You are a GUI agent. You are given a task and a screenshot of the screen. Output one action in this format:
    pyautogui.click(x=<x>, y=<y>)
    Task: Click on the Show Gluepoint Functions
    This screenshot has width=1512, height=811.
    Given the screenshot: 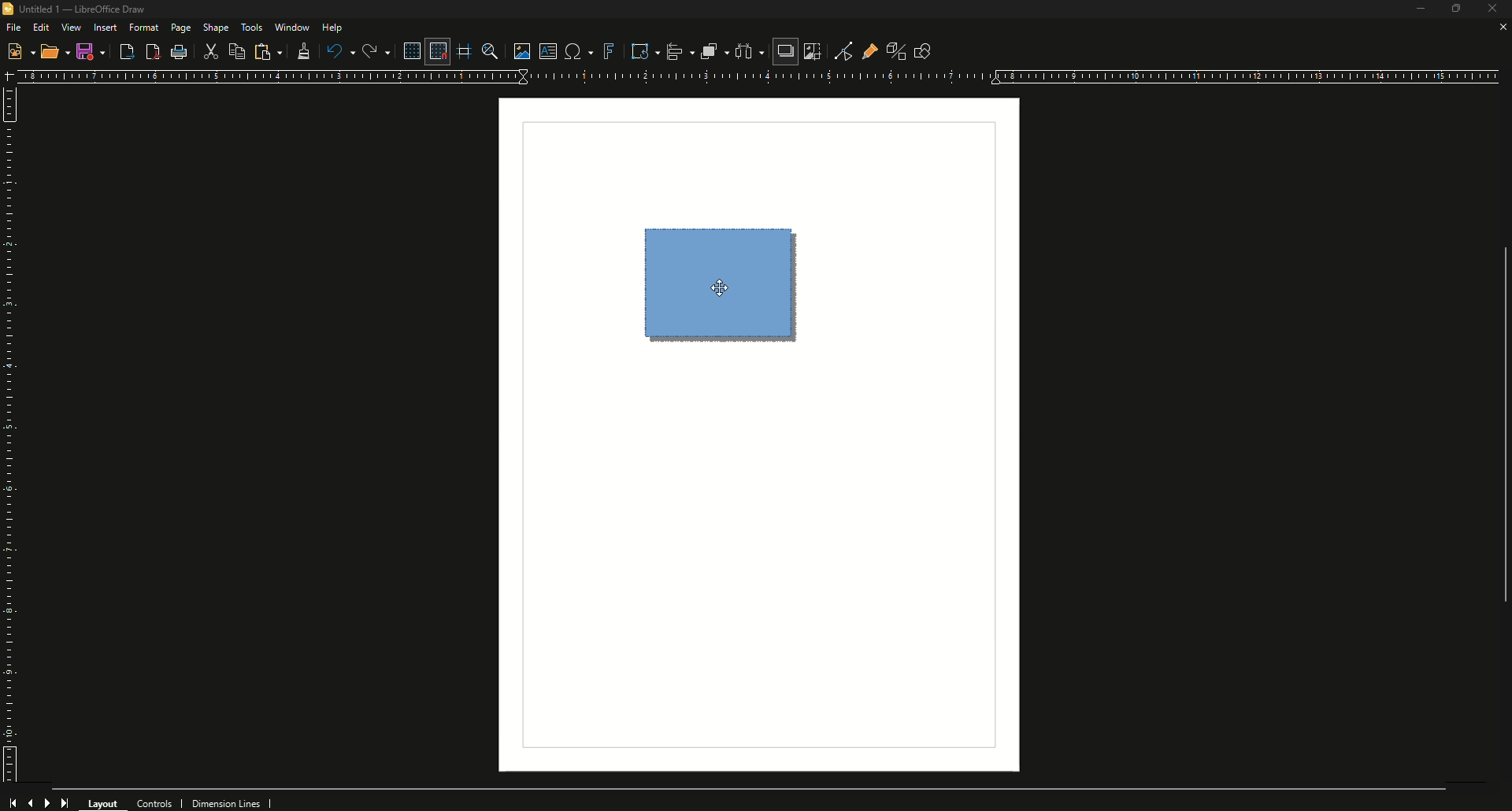 What is the action you would take?
    pyautogui.click(x=865, y=50)
    